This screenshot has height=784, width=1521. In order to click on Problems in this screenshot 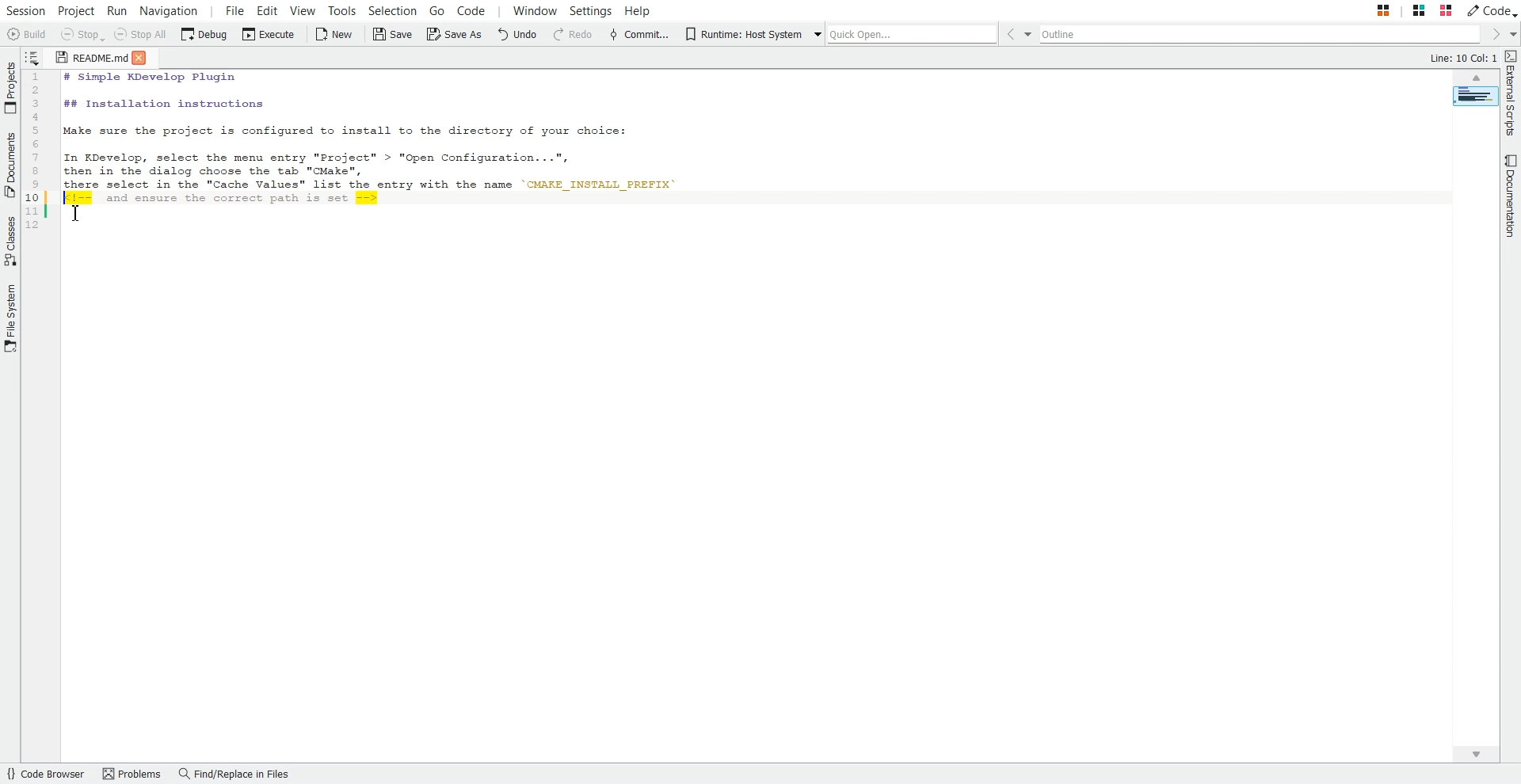, I will do `click(132, 774)`.